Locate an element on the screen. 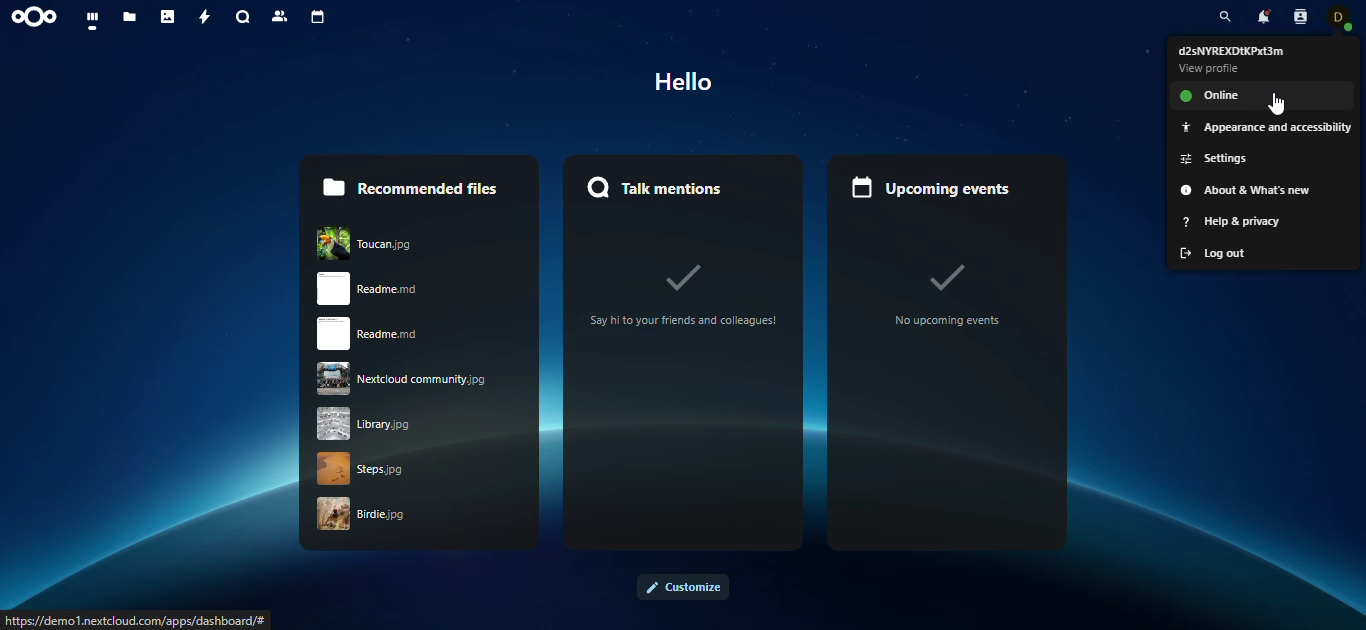  notifications is located at coordinates (1263, 16).